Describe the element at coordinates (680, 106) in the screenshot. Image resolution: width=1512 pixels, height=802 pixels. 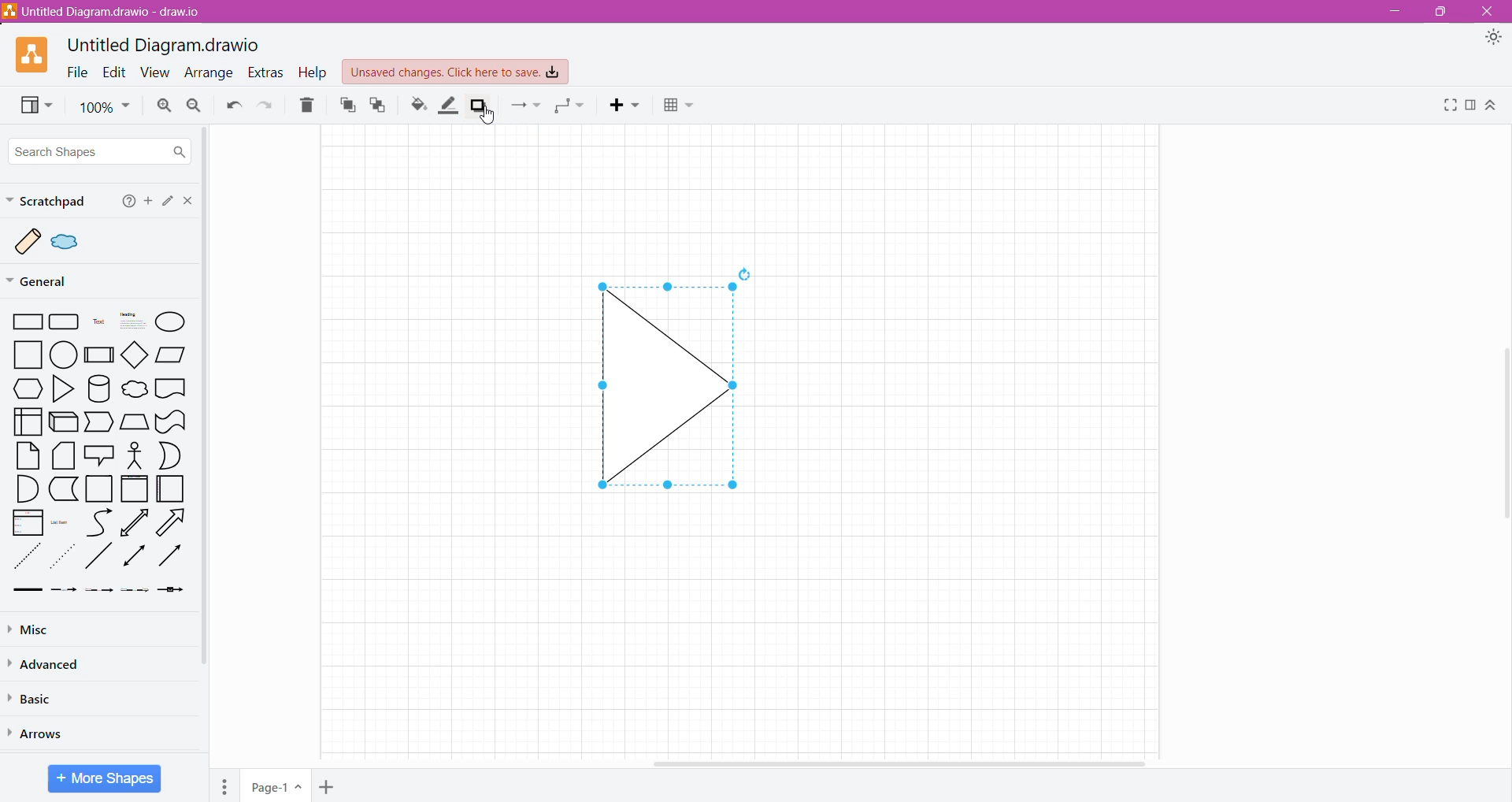
I see `Table` at that location.